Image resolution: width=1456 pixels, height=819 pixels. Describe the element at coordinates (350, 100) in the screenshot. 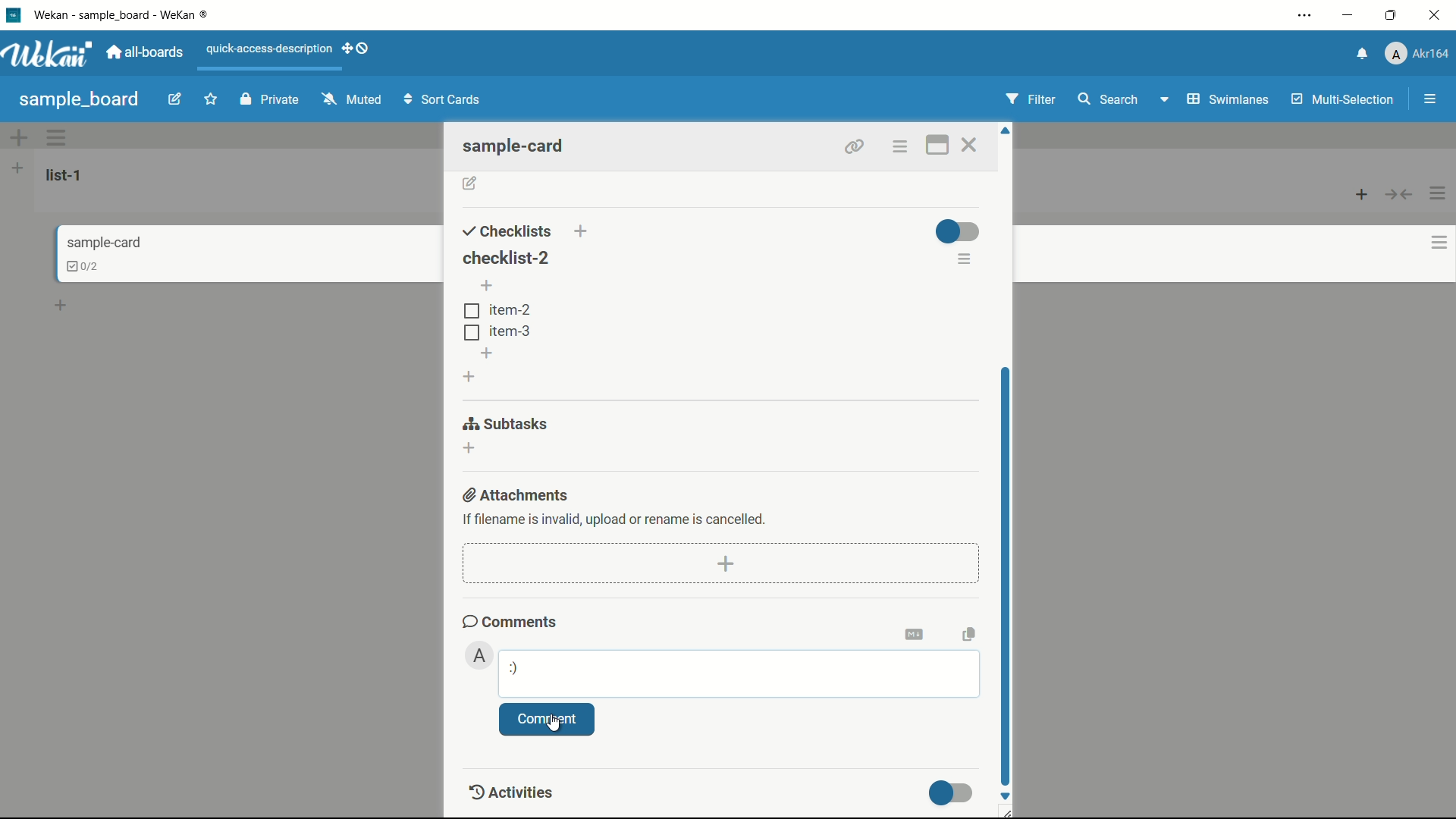

I see `muted` at that location.